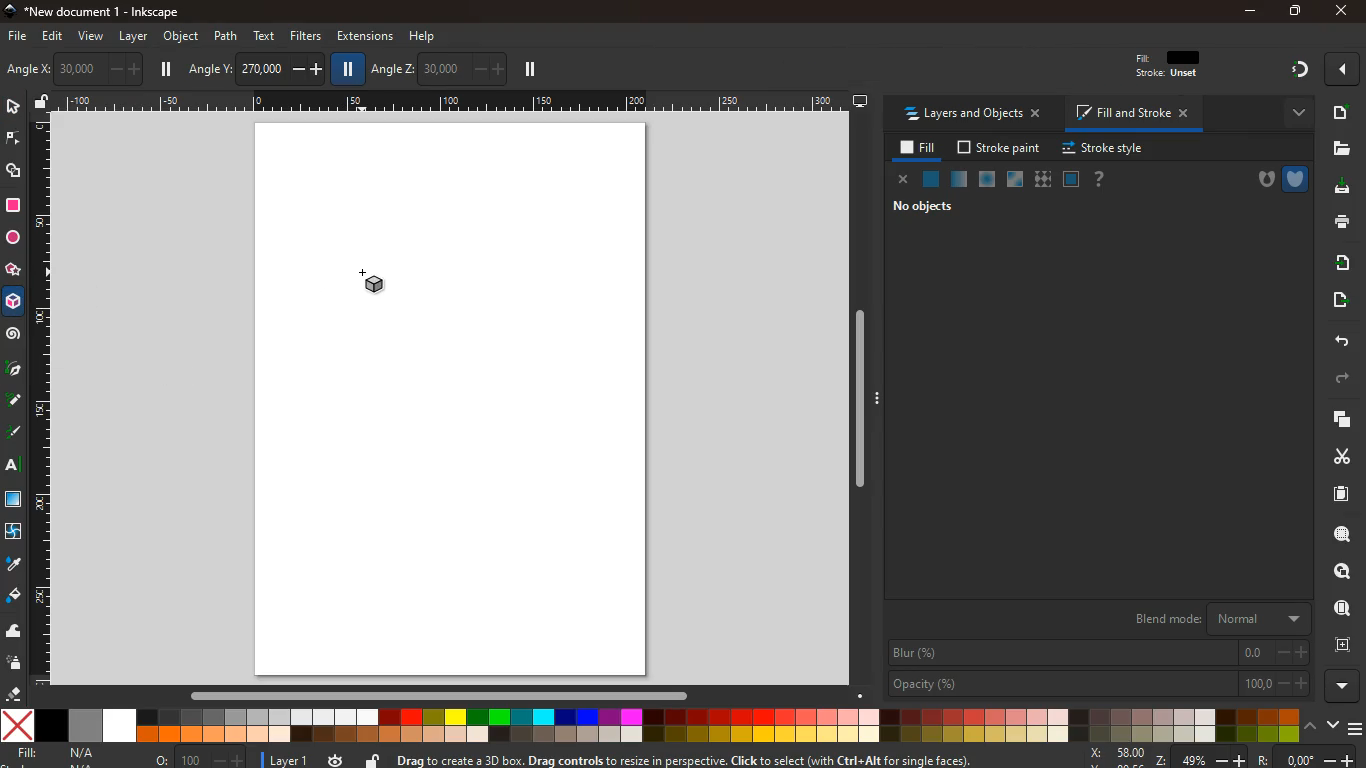 This screenshot has width=1366, height=768. I want to click on zoom, so click(1124, 756).